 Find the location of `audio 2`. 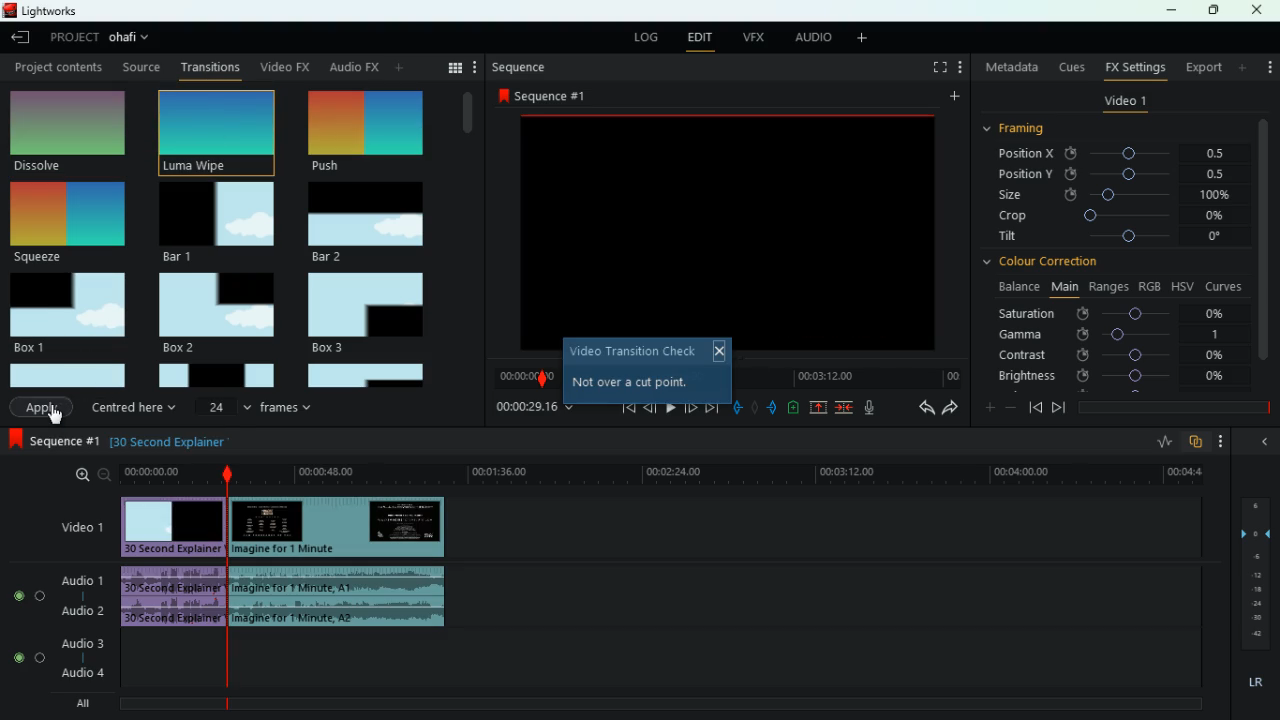

audio 2 is located at coordinates (80, 611).